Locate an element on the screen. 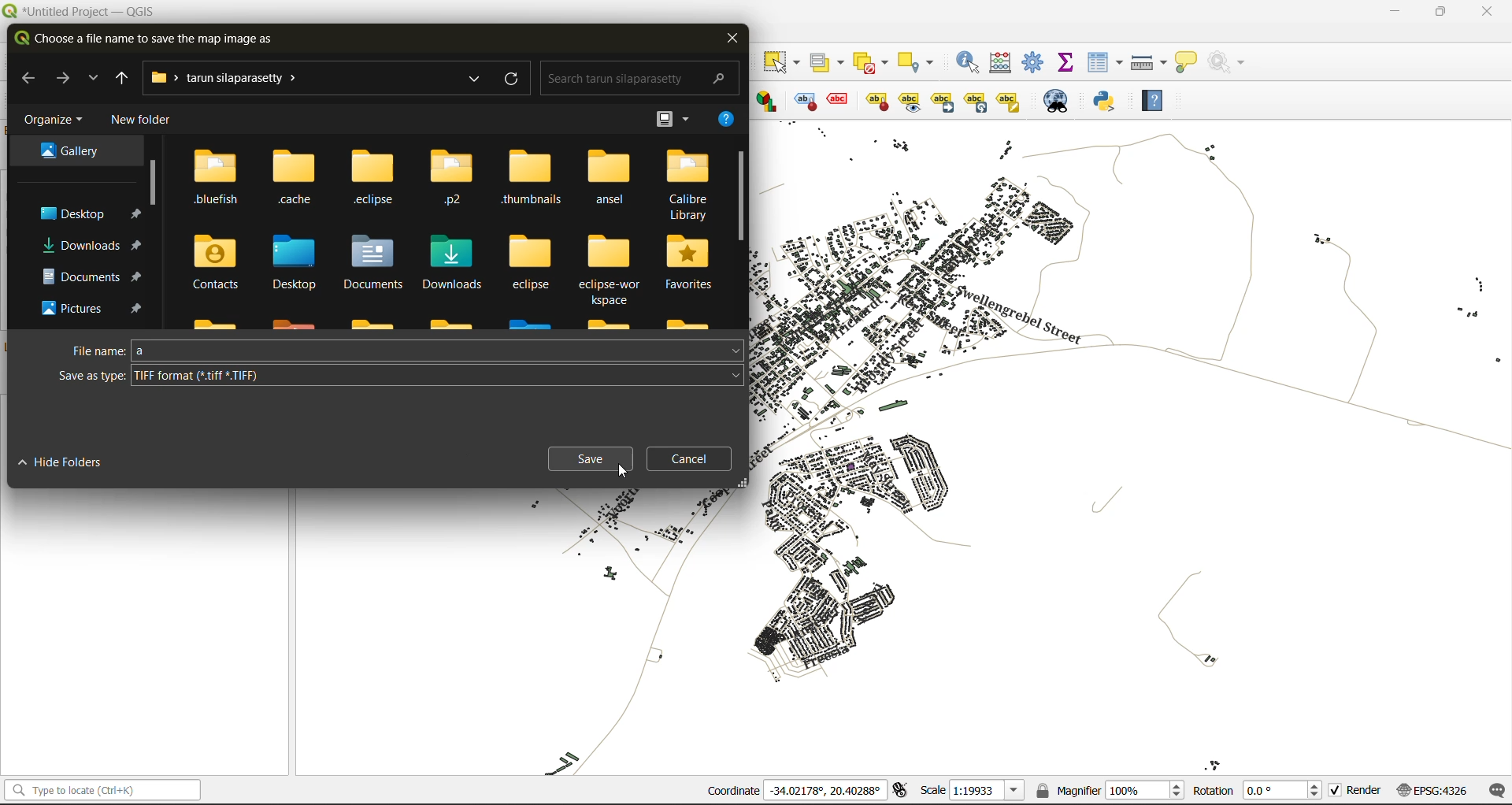 Image resolution: width=1512 pixels, height=805 pixels. identify features is located at coordinates (969, 61).